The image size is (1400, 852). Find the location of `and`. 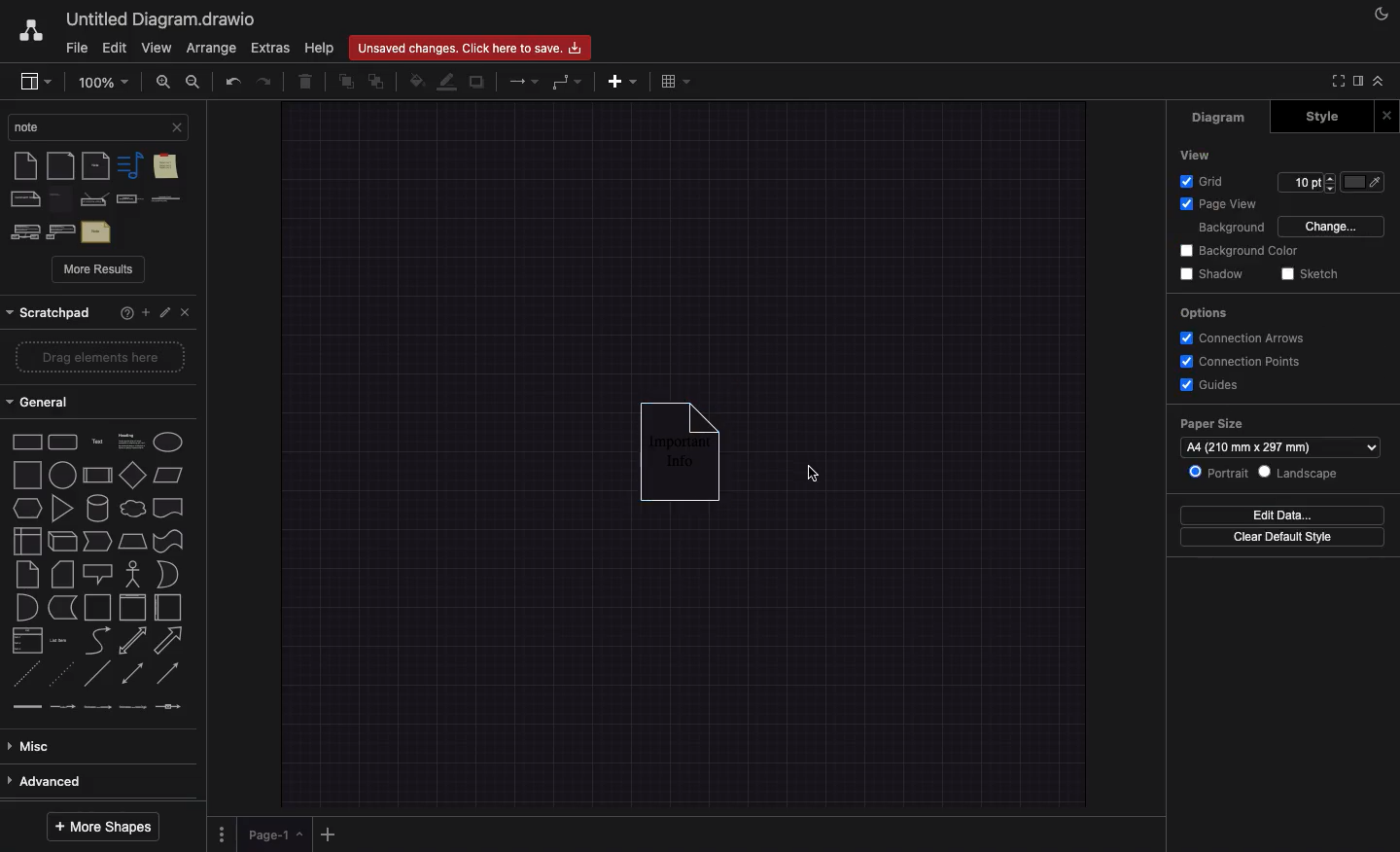

and is located at coordinates (170, 575).